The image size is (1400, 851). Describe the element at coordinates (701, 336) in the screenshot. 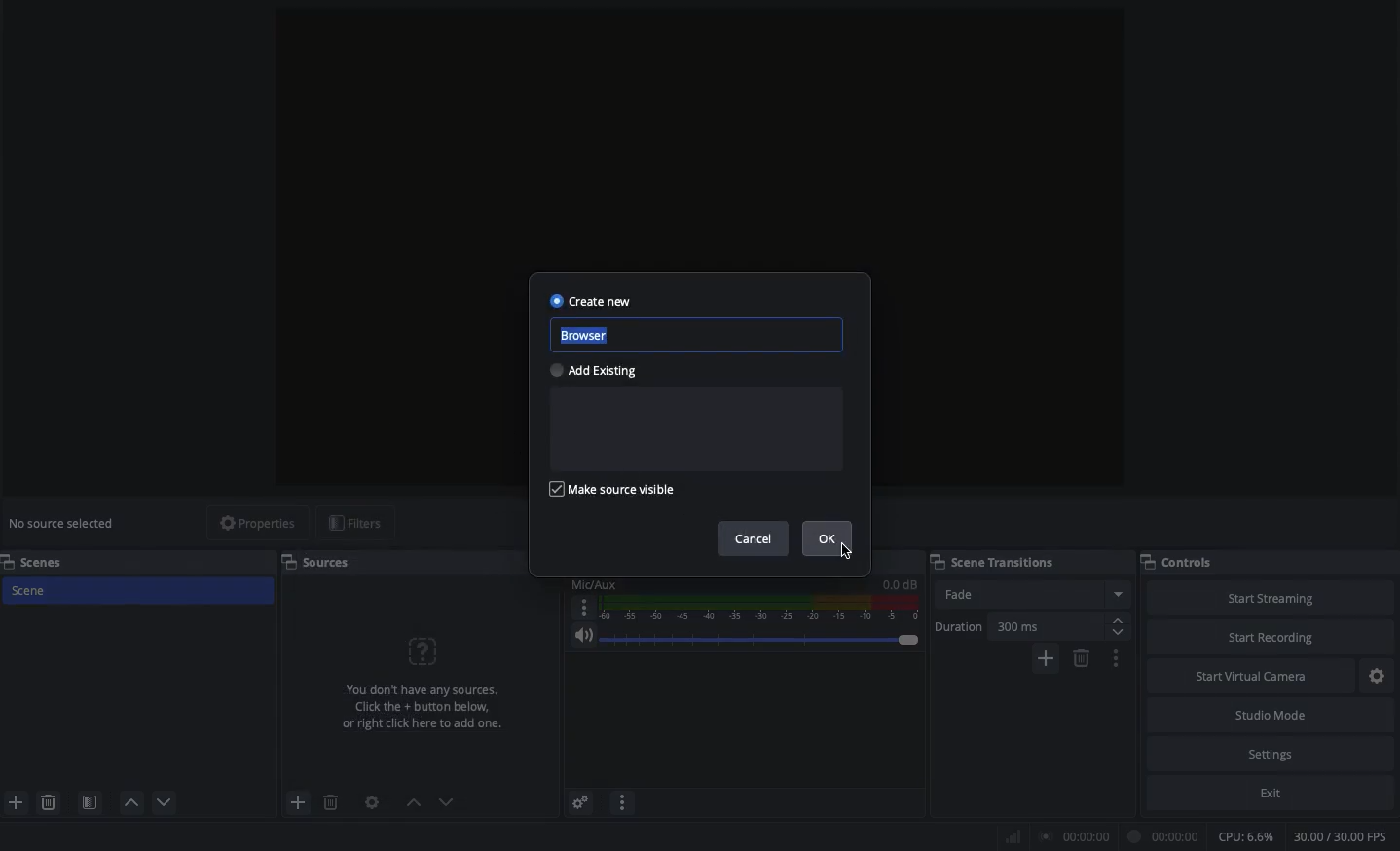

I see `Browser` at that location.